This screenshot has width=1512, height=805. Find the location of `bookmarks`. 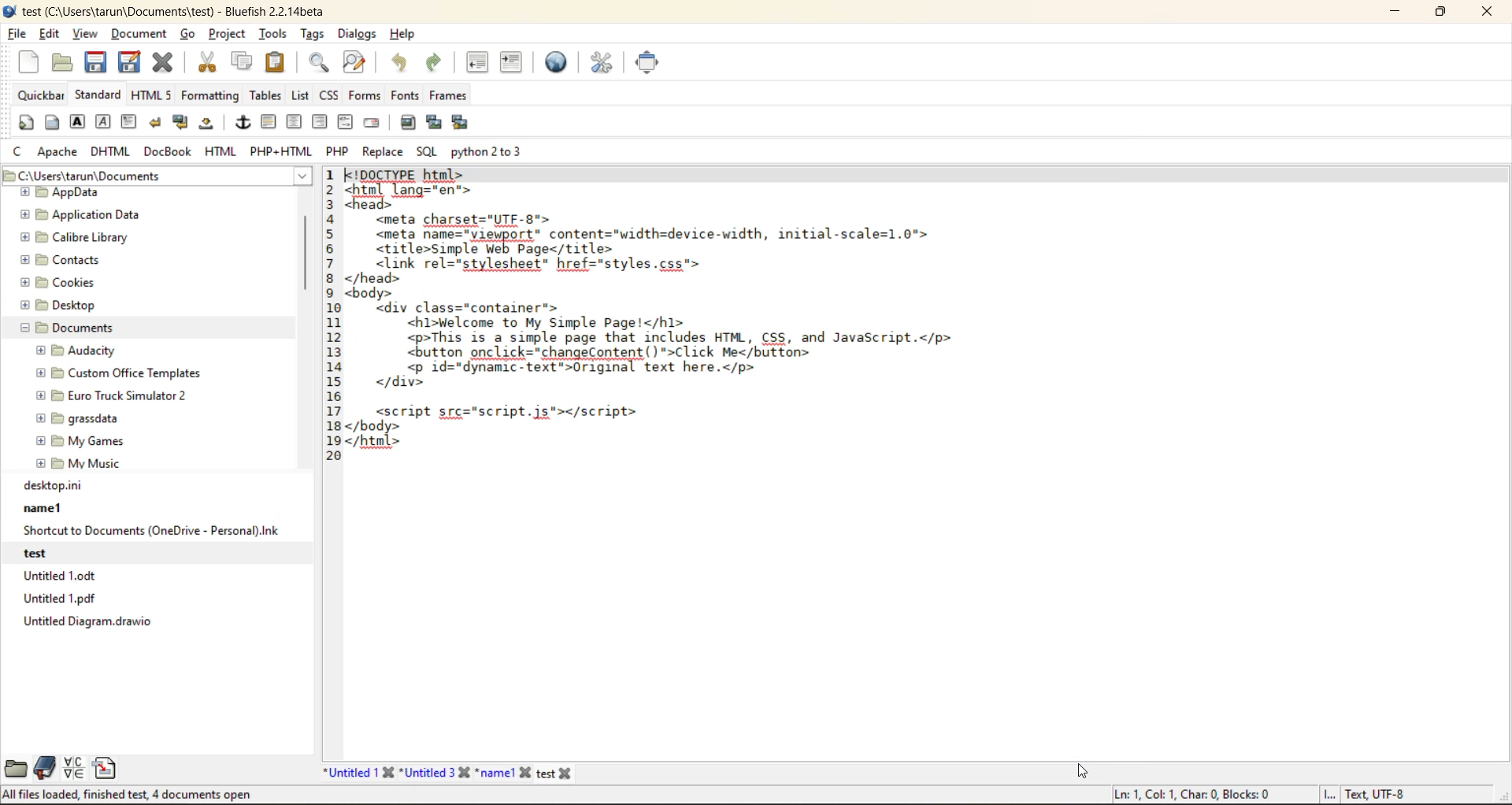

bookmarks is located at coordinates (43, 768).